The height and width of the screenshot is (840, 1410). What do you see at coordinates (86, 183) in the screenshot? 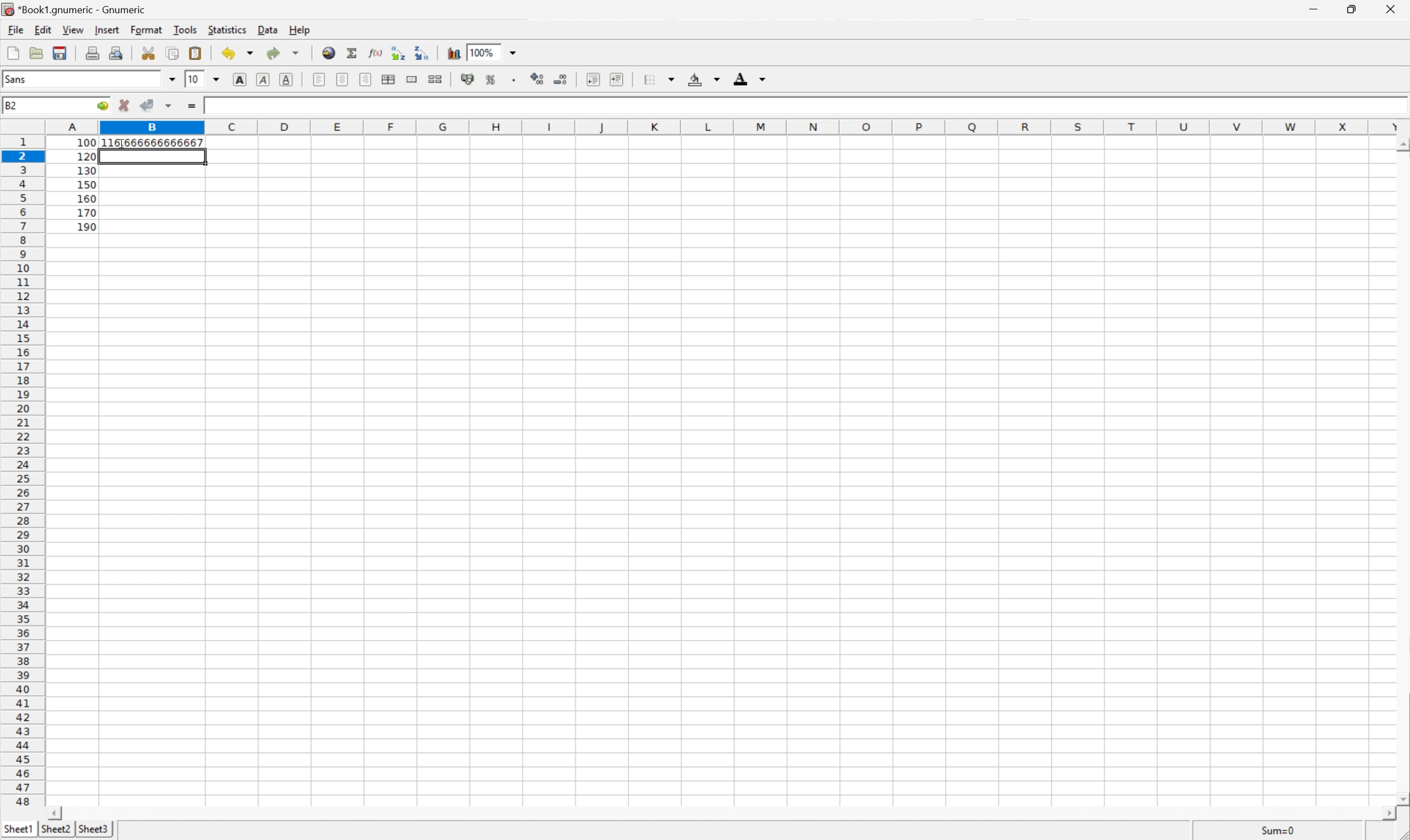
I see `150` at bounding box center [86, 183].